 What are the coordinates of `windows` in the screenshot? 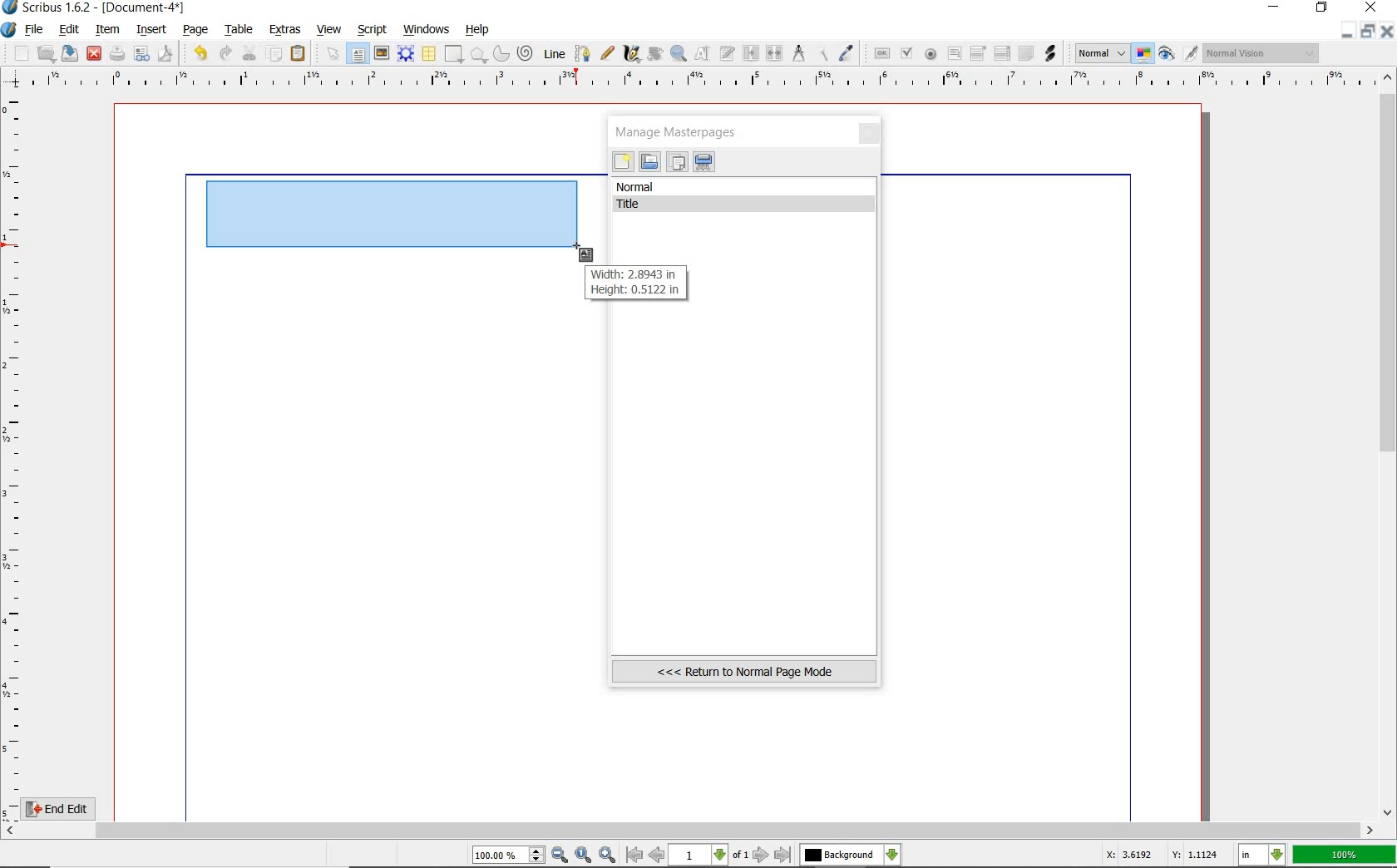 It's located at (426, 28).